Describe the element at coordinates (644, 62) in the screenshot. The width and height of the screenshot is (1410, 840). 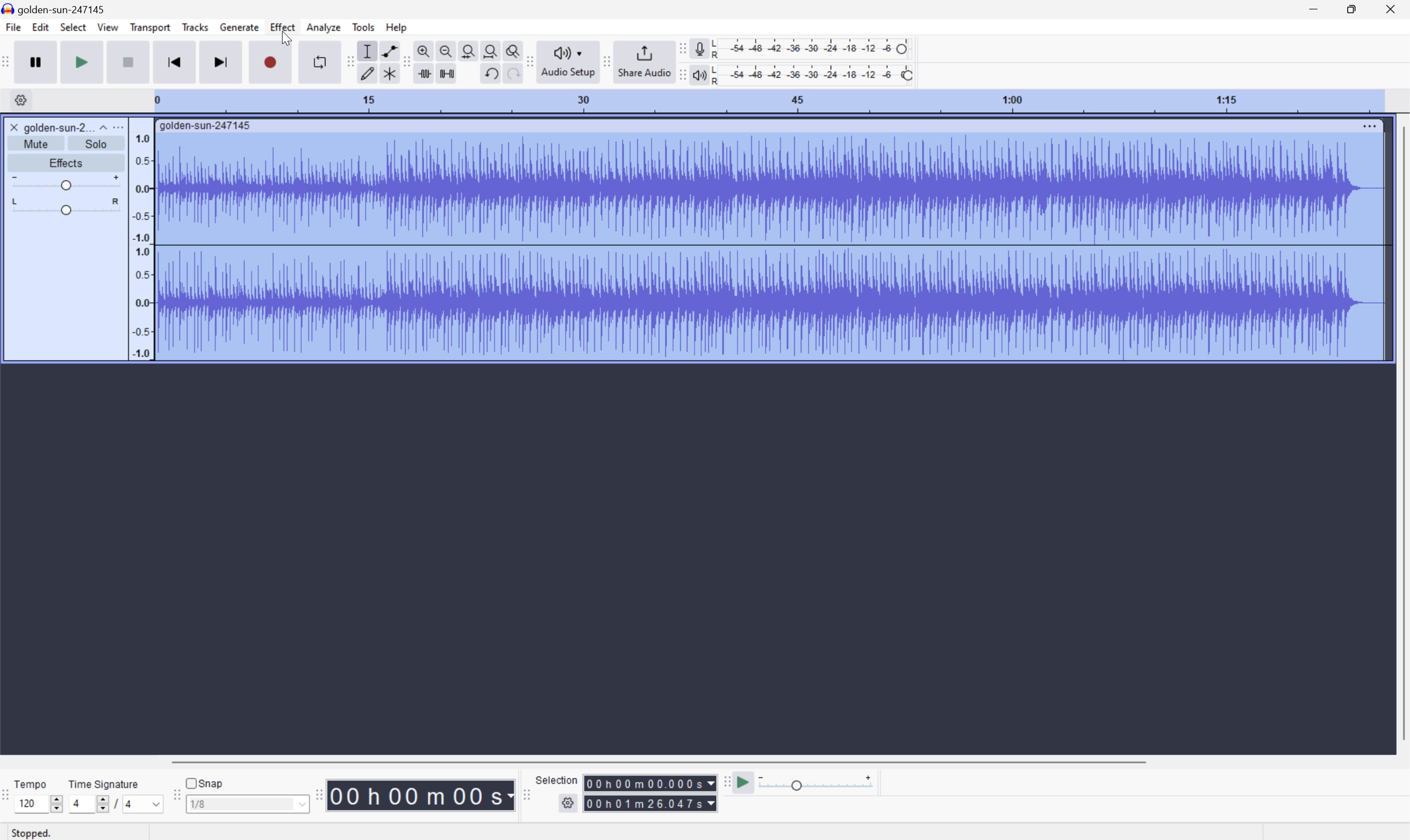
I see `Share audio` at that location.